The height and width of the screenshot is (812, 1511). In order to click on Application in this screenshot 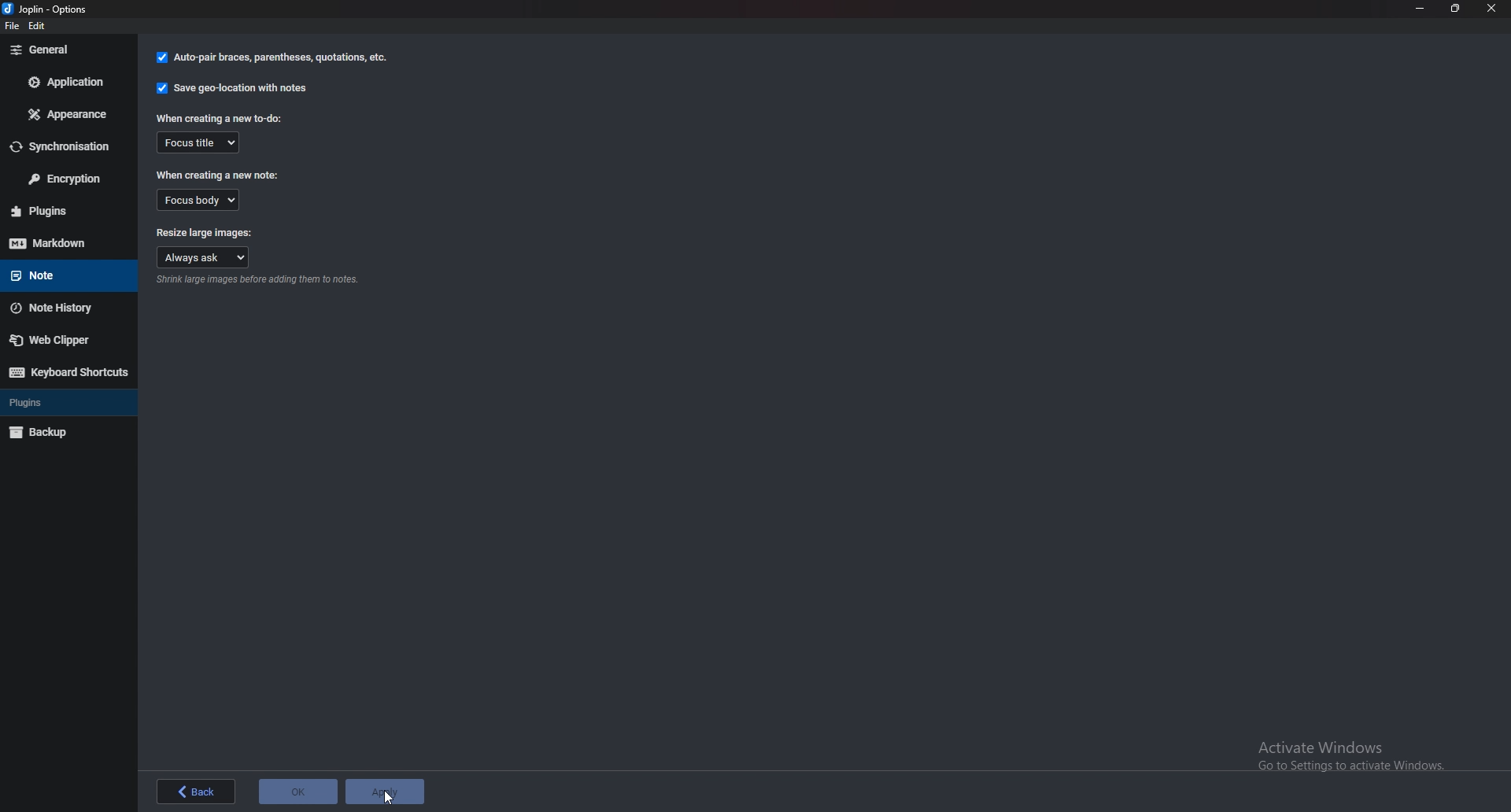, I will do `click(67, 82)`.